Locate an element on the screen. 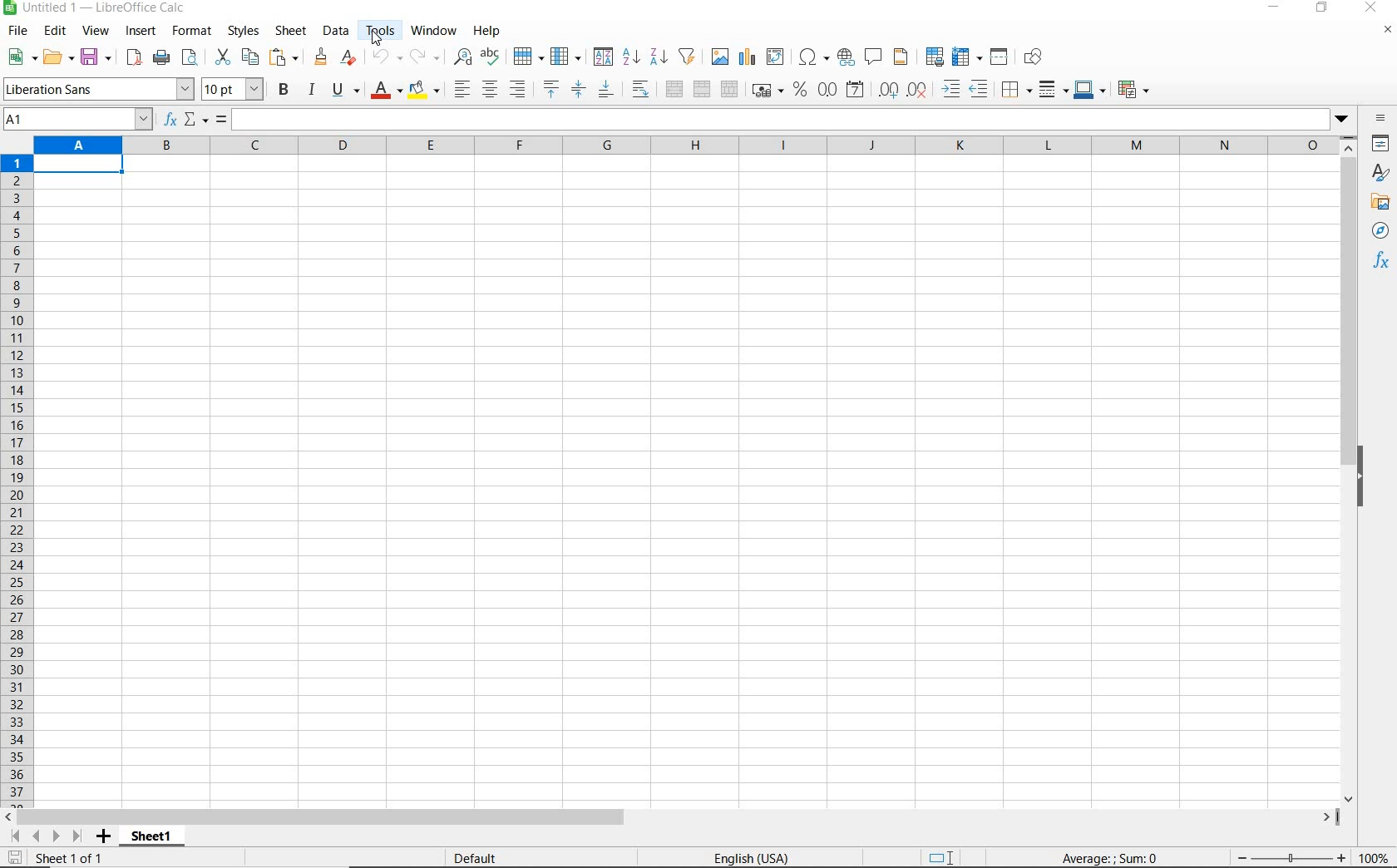 The height and width of the screenshot is (868, 1397). font color is located at coordinates (383, 89).